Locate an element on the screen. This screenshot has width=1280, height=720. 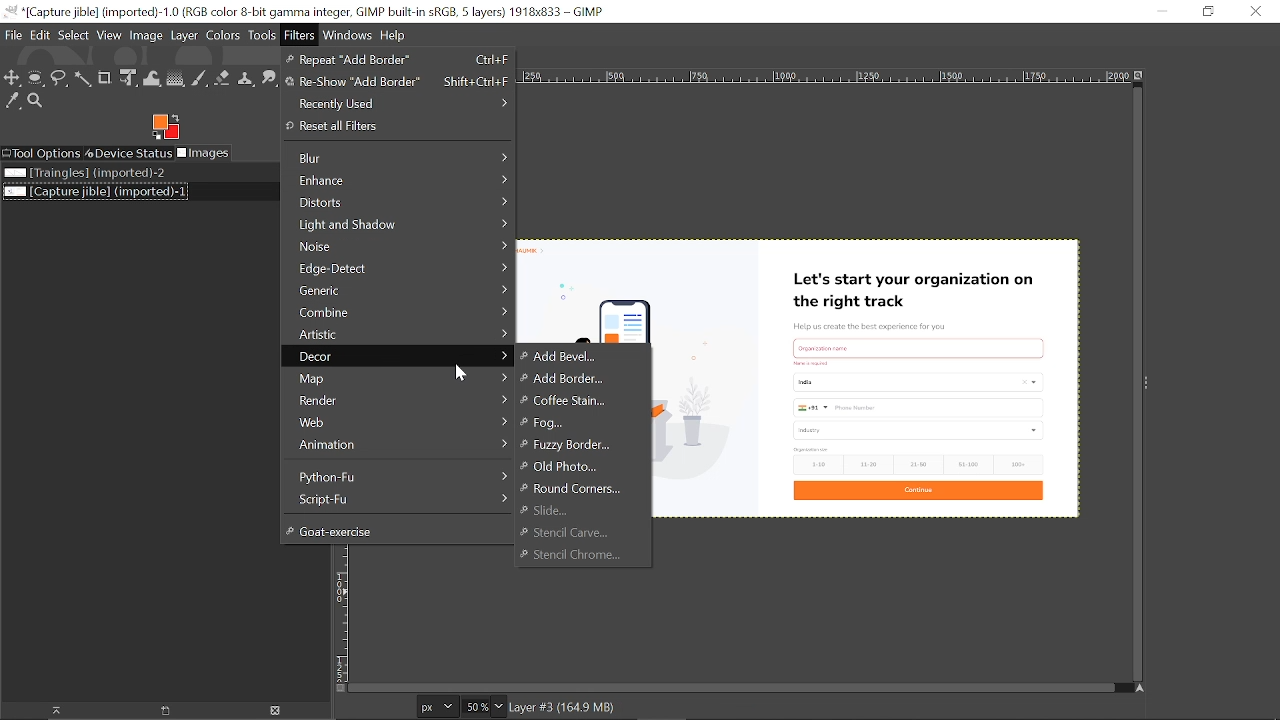
Stencil Carve... is located at coordinates (571, 532).